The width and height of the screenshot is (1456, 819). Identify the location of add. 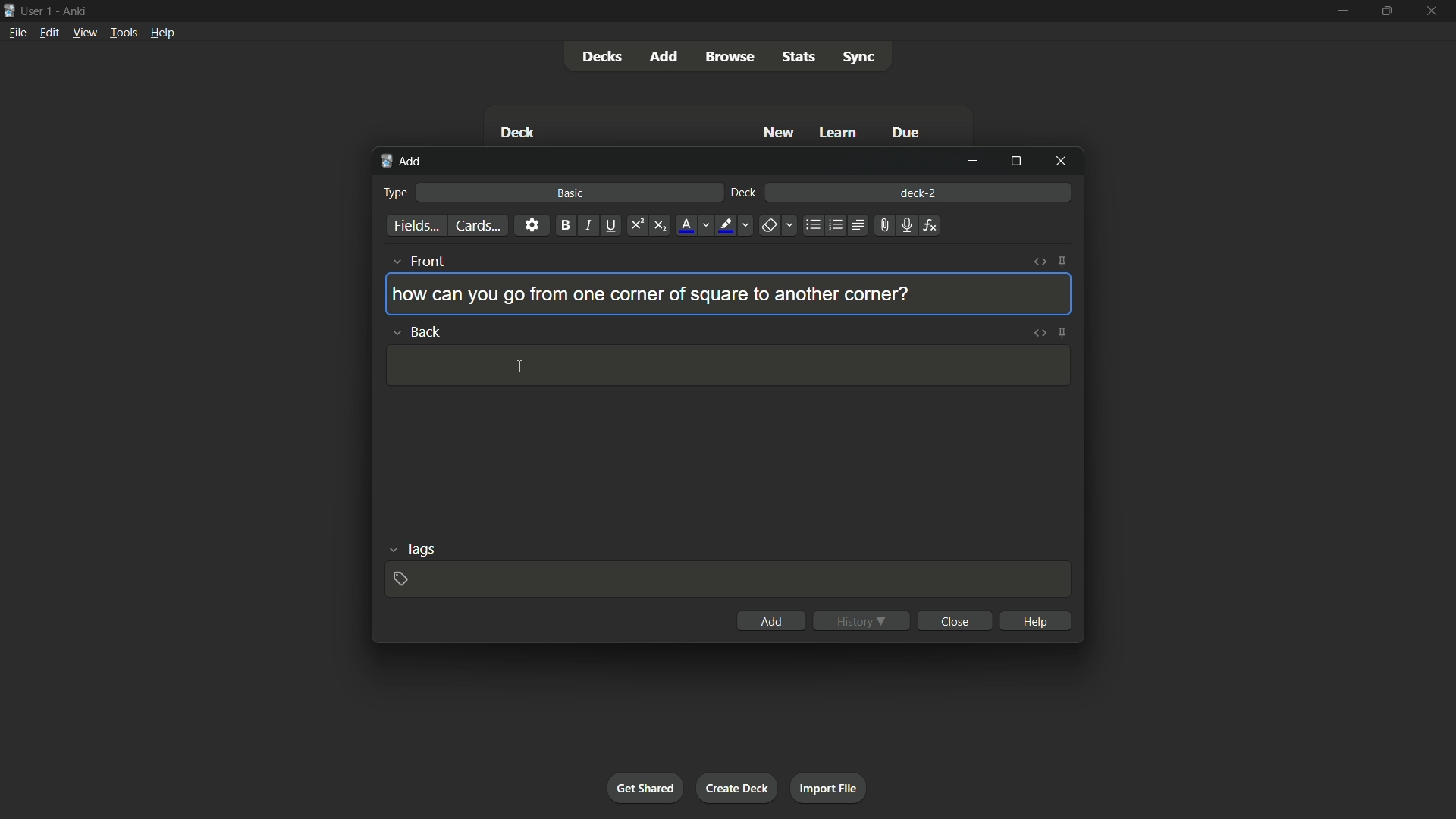
(403, 163).